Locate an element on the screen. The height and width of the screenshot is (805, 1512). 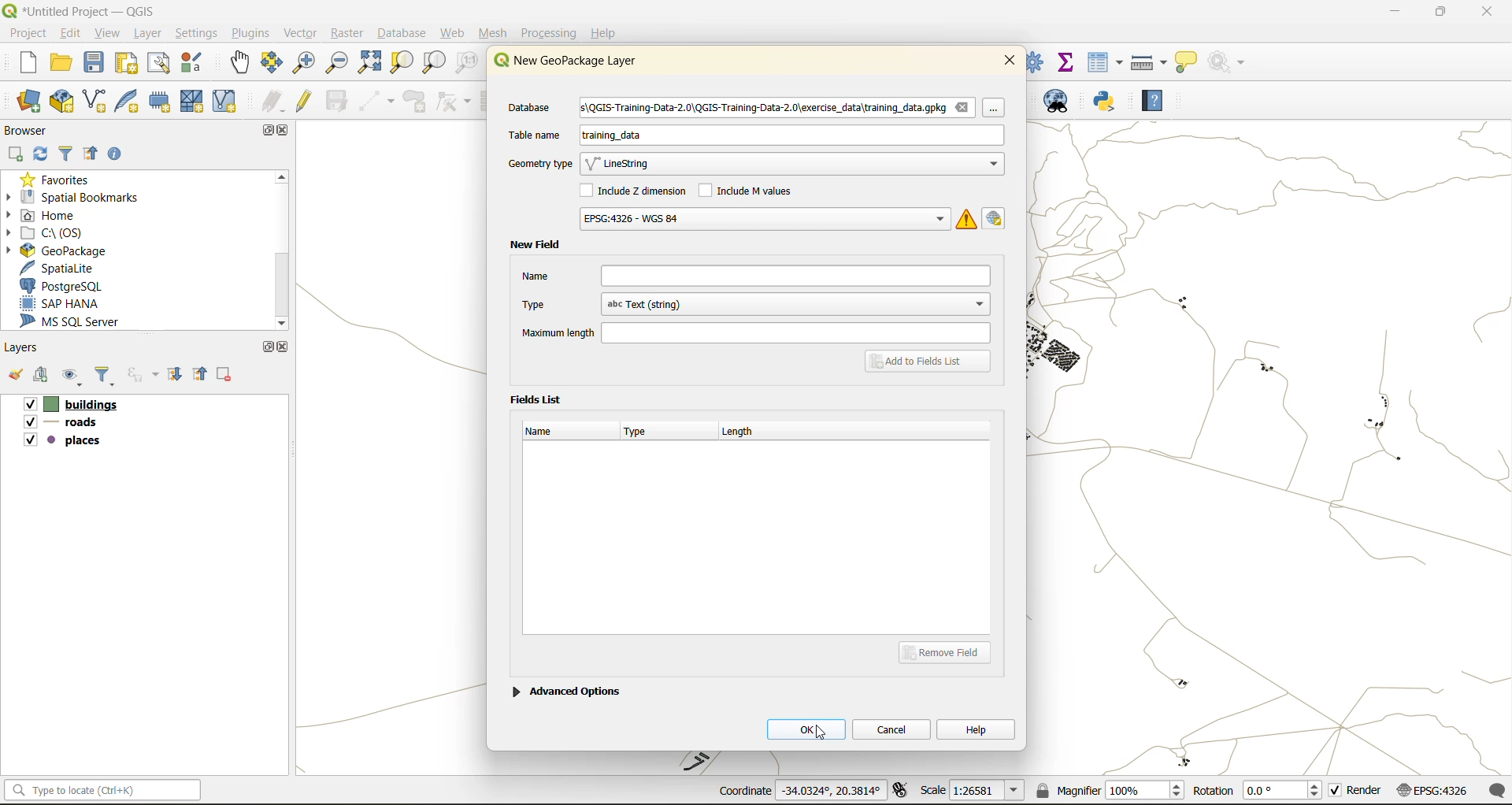
spatial bookmarks is located at coordinates (83, 197).